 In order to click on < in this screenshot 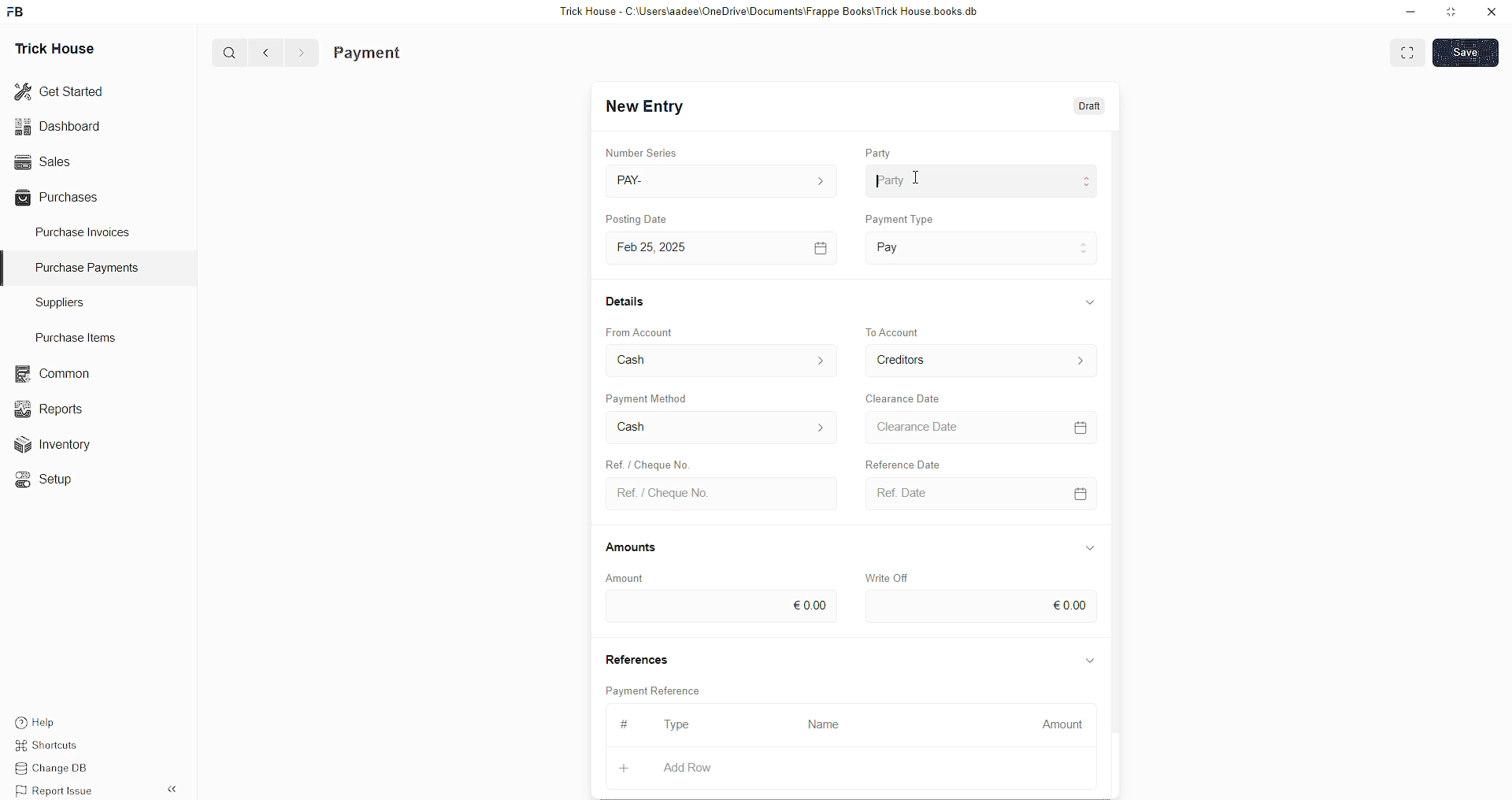, I will do `click(262, 52)`.